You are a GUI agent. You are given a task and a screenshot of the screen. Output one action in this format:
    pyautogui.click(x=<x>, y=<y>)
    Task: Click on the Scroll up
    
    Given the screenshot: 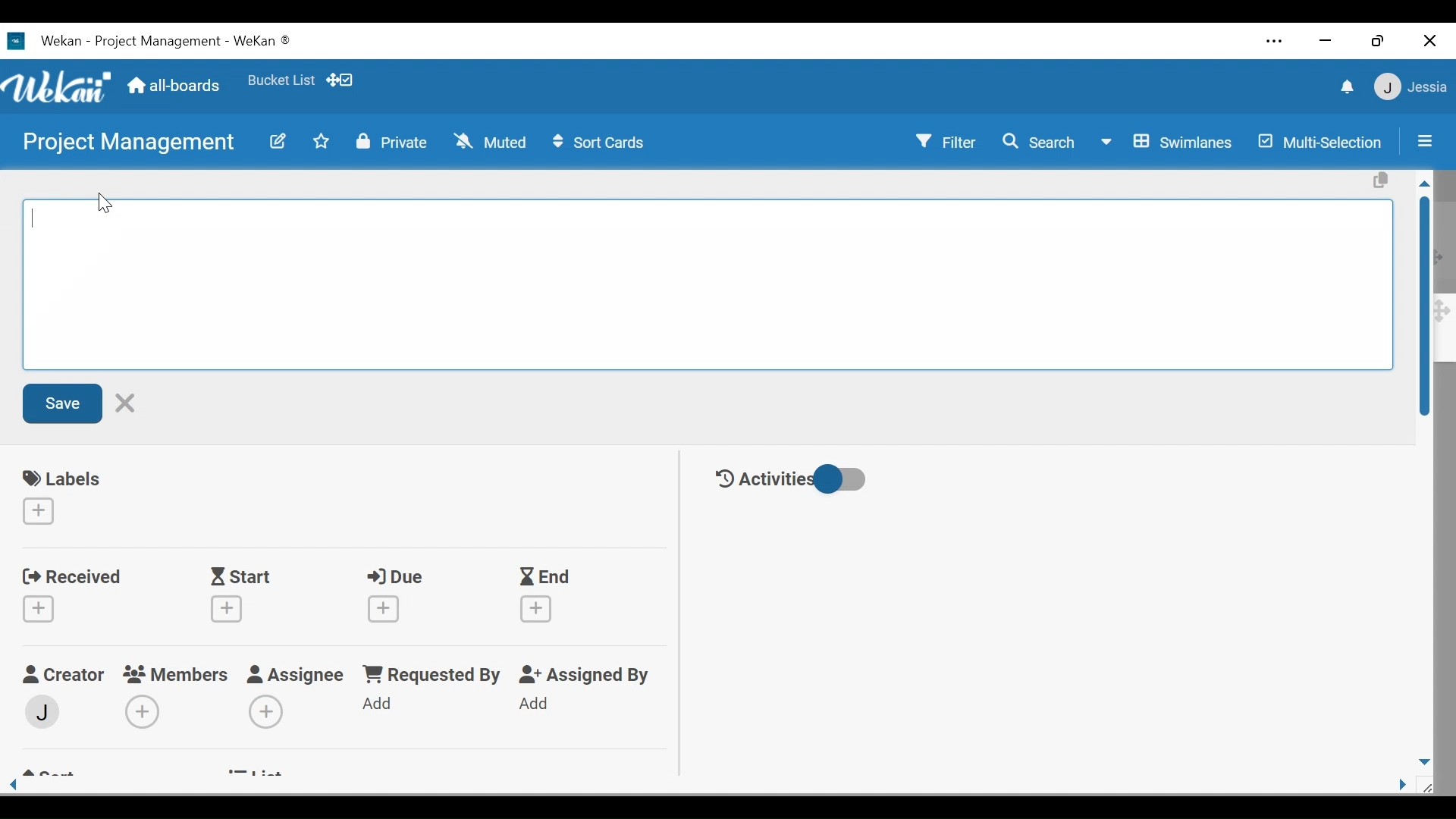 What is the action you would take?
    pyautogui.click(x=1423, y=184)
    